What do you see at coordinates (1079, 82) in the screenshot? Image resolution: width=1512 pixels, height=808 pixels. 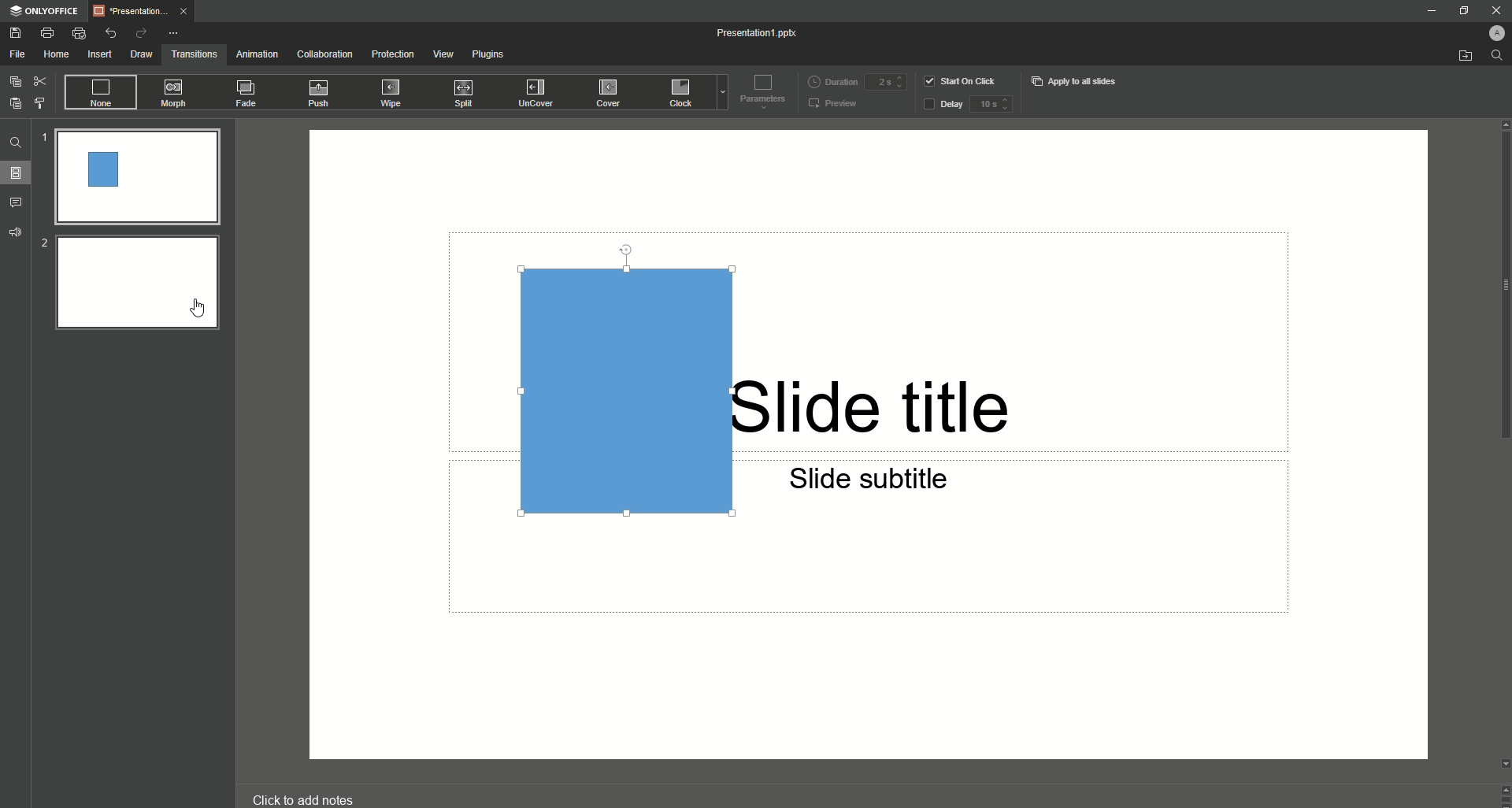 I see `Apply to all slides` at bounding box center [1079, 82].